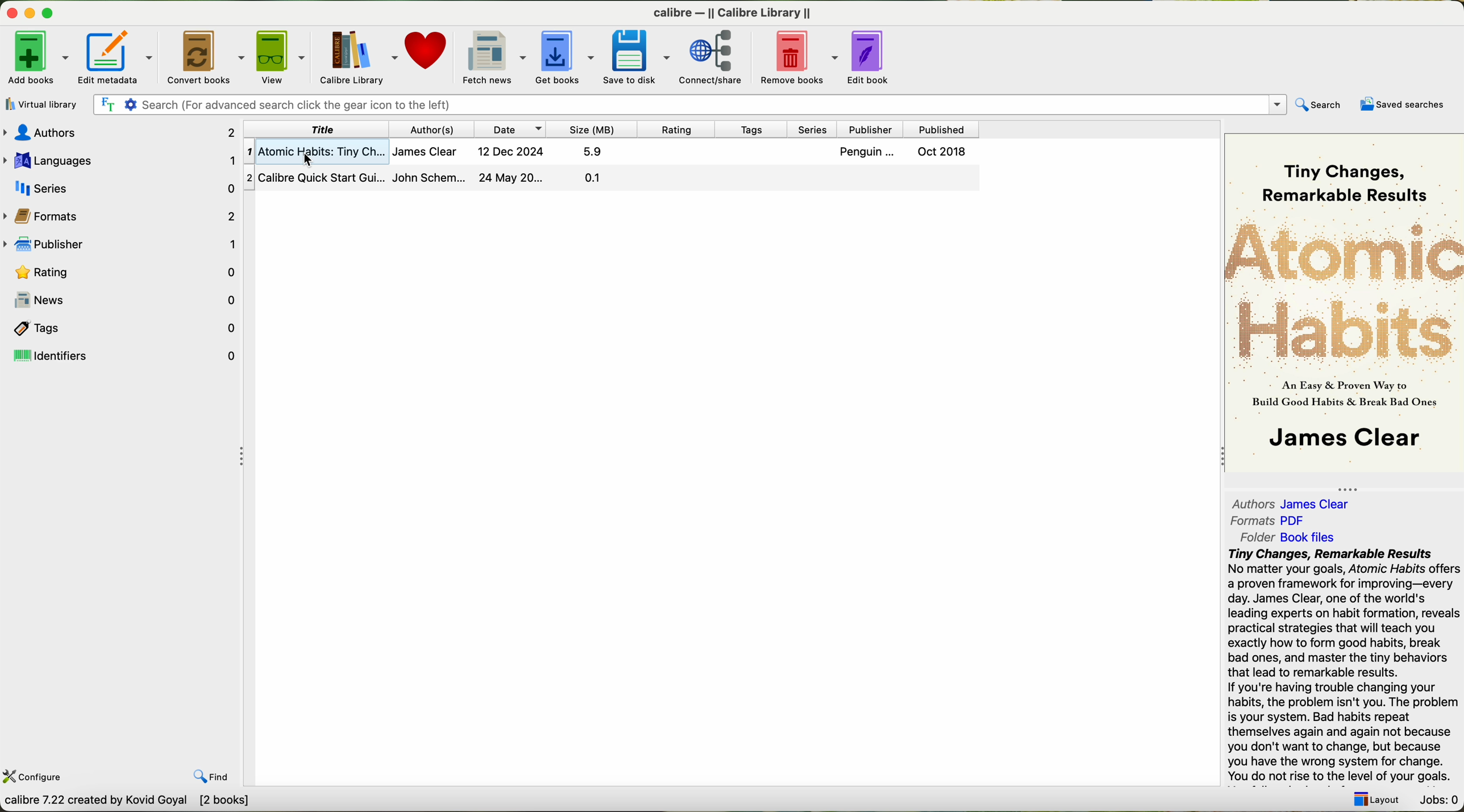 This screenshot has height=812, width=1464. What do you see at coordinates (121, 243) in the screenshot?
I see `publisher` at bounding box center [121, 243].